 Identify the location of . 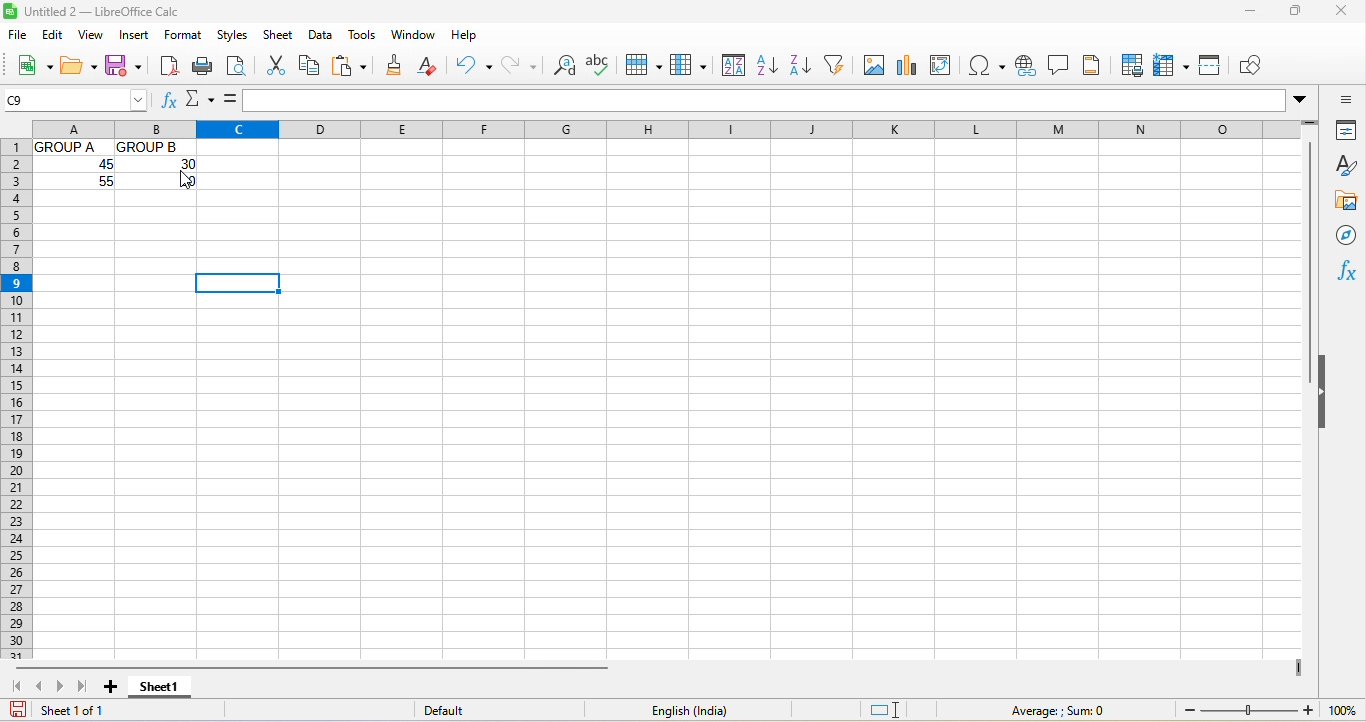
(74, 147).